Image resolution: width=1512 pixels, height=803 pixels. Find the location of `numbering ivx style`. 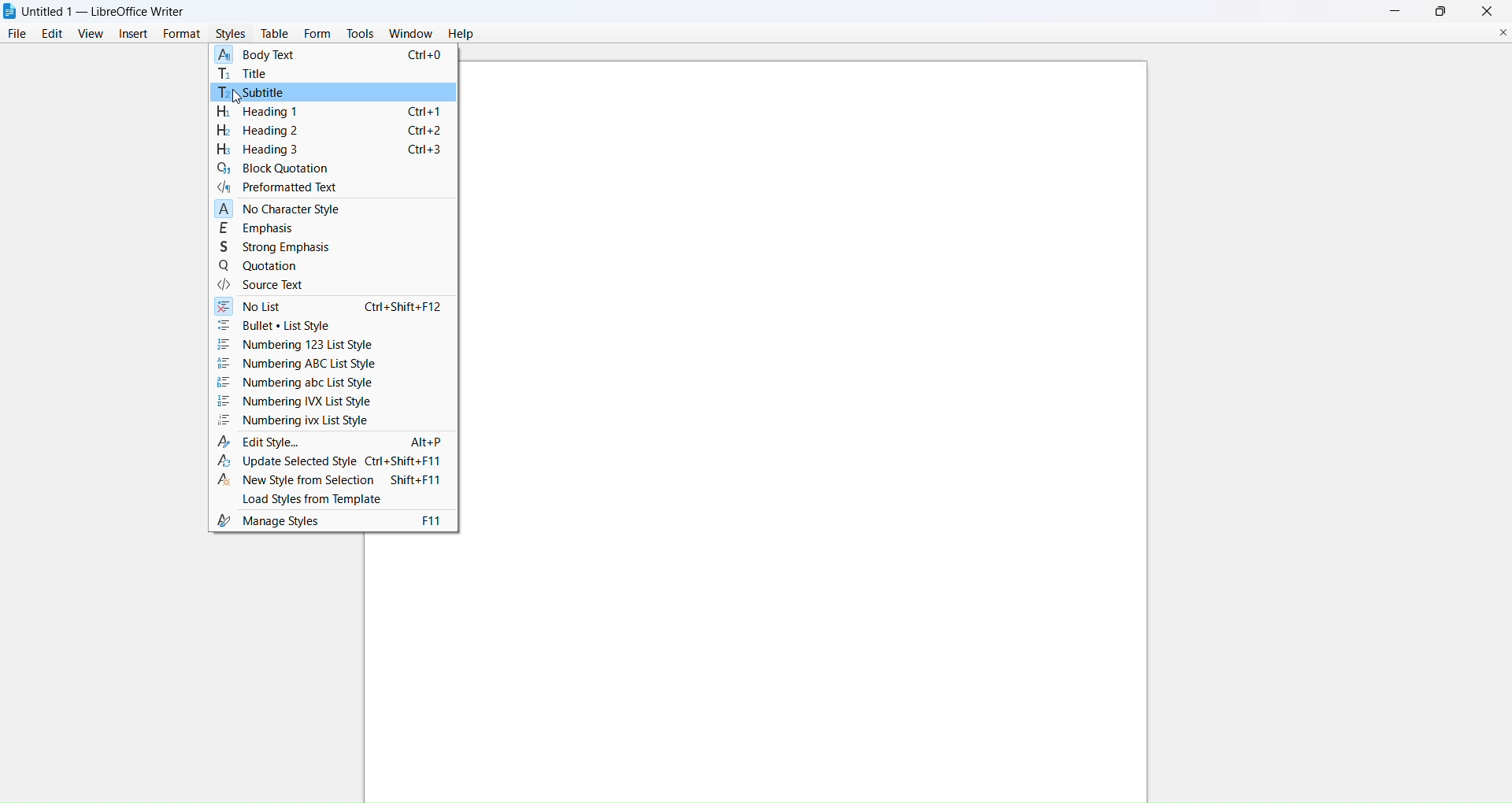

numbering ivx style is located at coordinates (293, 420).